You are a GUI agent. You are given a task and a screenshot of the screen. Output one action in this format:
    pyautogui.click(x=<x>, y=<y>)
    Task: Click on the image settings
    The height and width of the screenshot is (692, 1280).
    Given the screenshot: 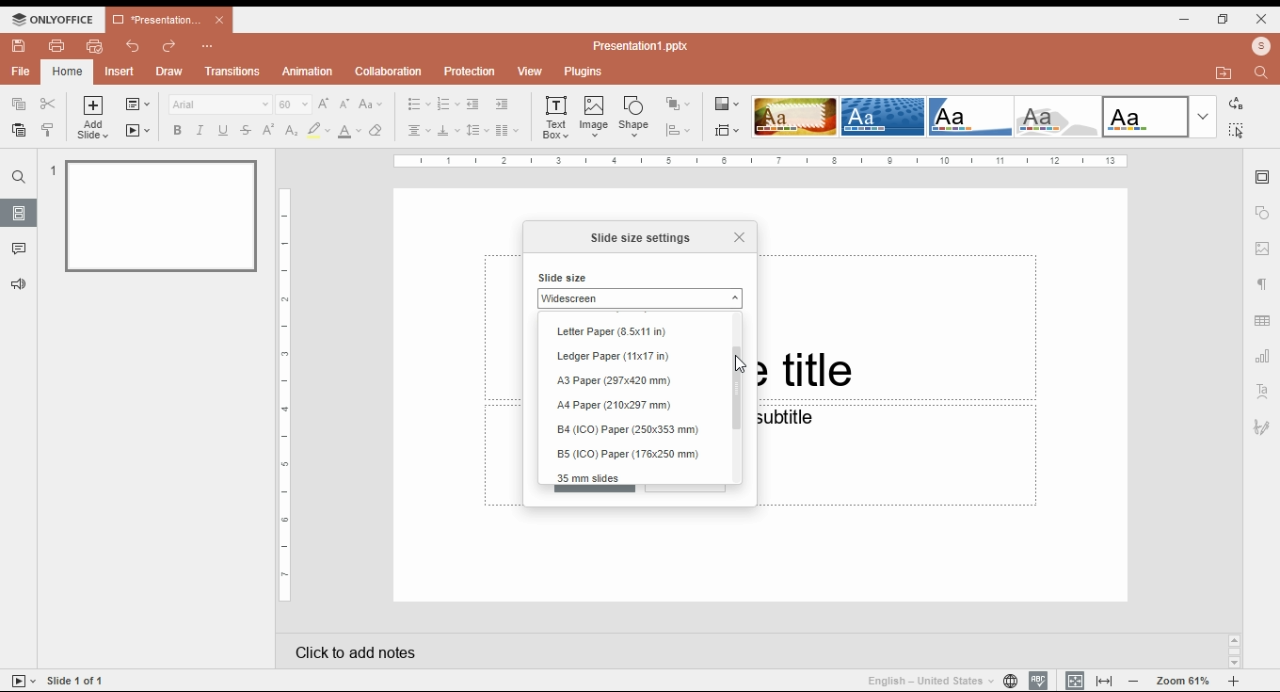 What is the action you would take?
    pyautogui.click(x=1263, y=250)
    